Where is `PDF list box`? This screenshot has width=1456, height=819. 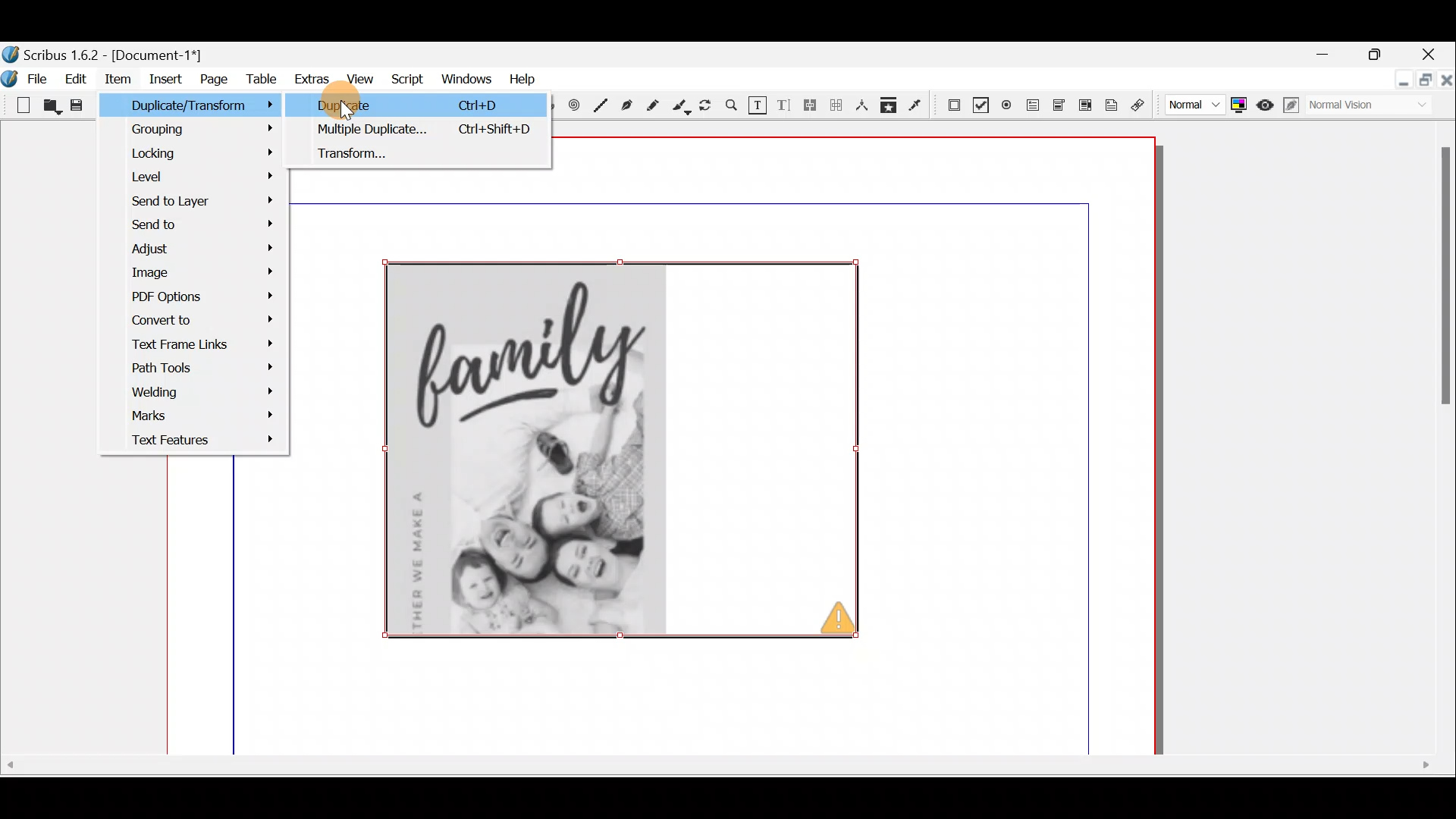 PDF list box is located at coordinates (1084, 104).